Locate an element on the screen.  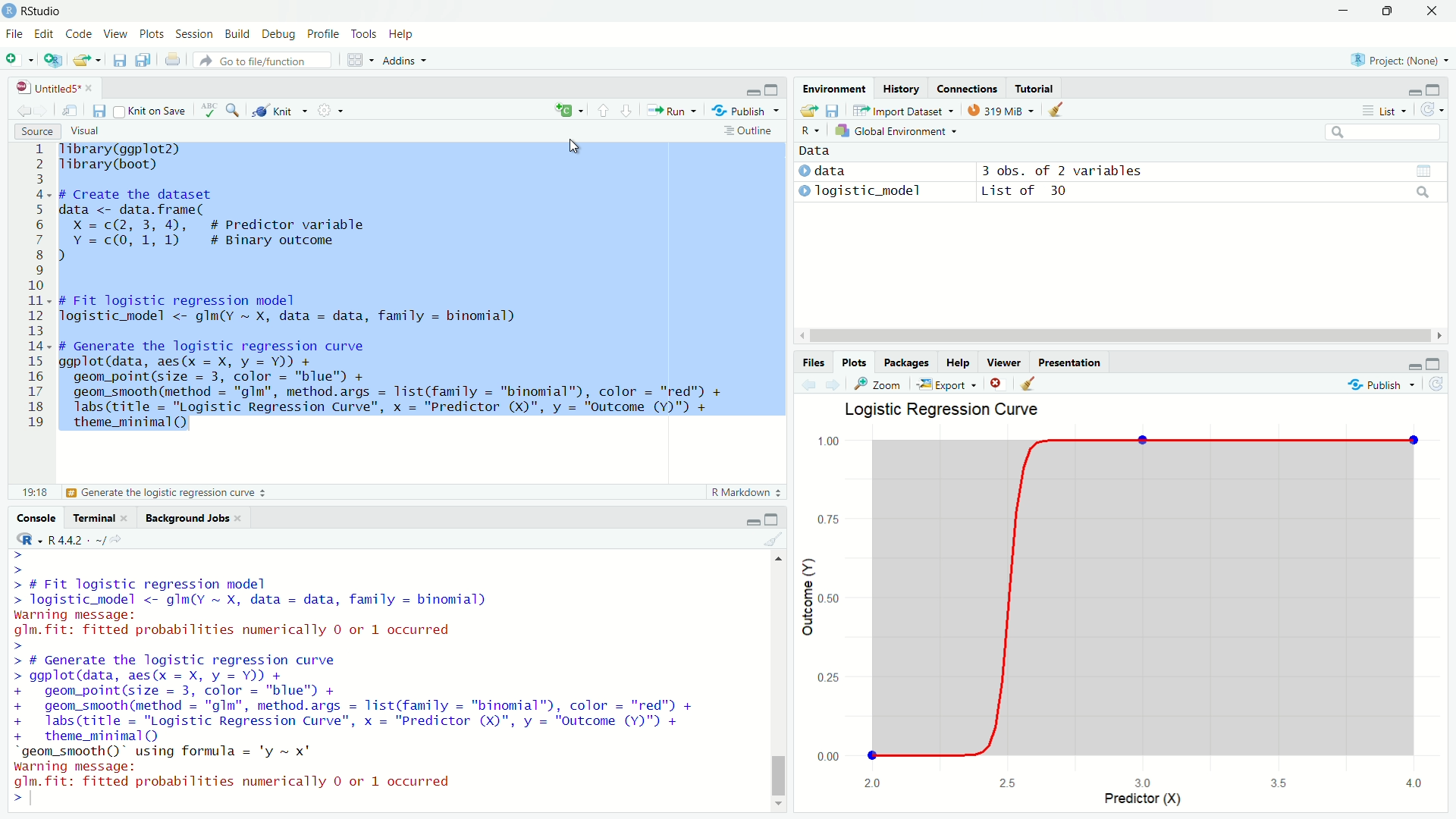
Terminal is located at coordinates (91, 517).